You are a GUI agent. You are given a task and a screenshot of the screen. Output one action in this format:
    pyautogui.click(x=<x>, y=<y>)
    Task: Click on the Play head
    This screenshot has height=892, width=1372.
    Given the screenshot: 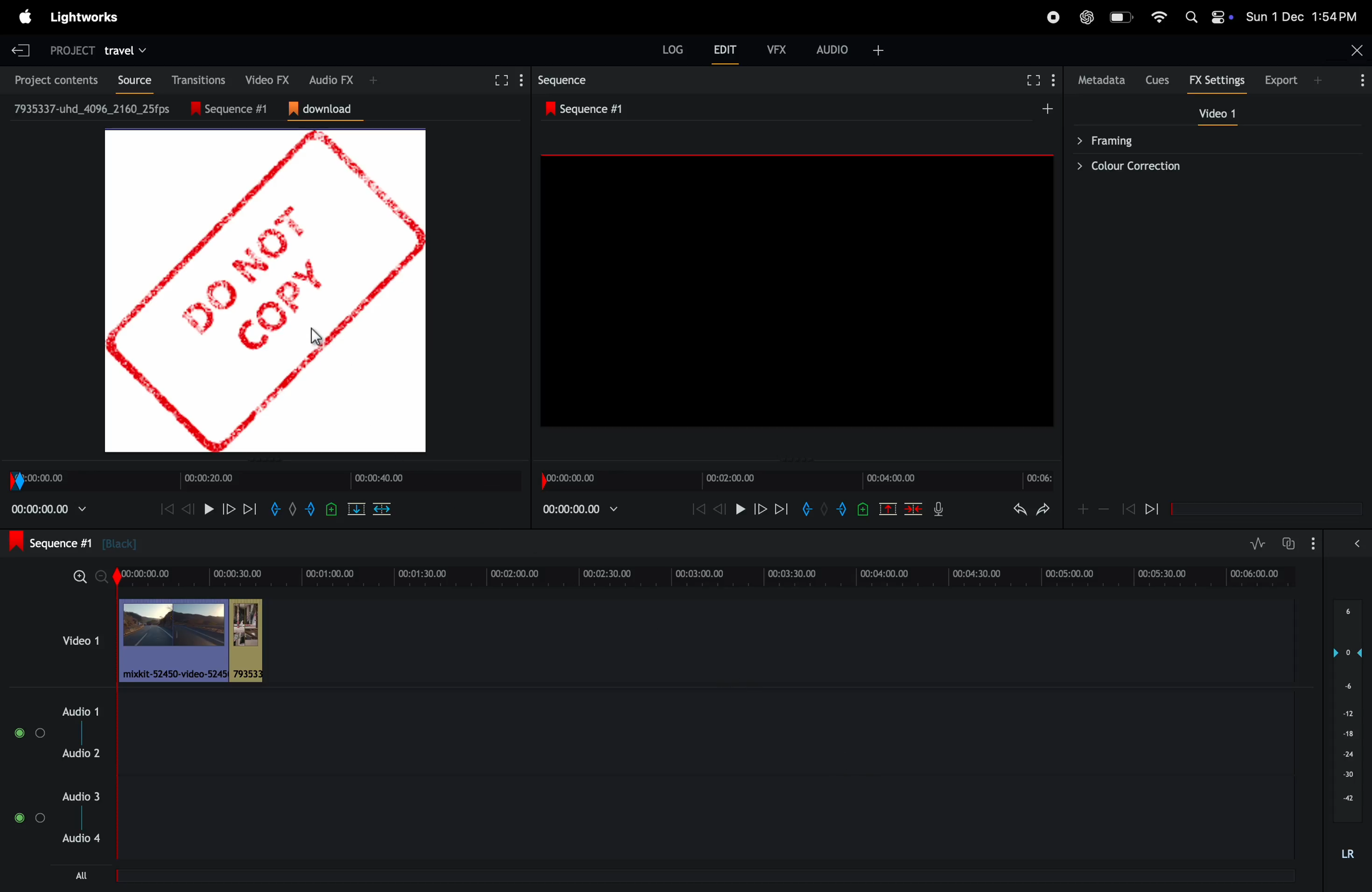 What is the action you would take?
    pyautogui.click(x=117, y=712)
    